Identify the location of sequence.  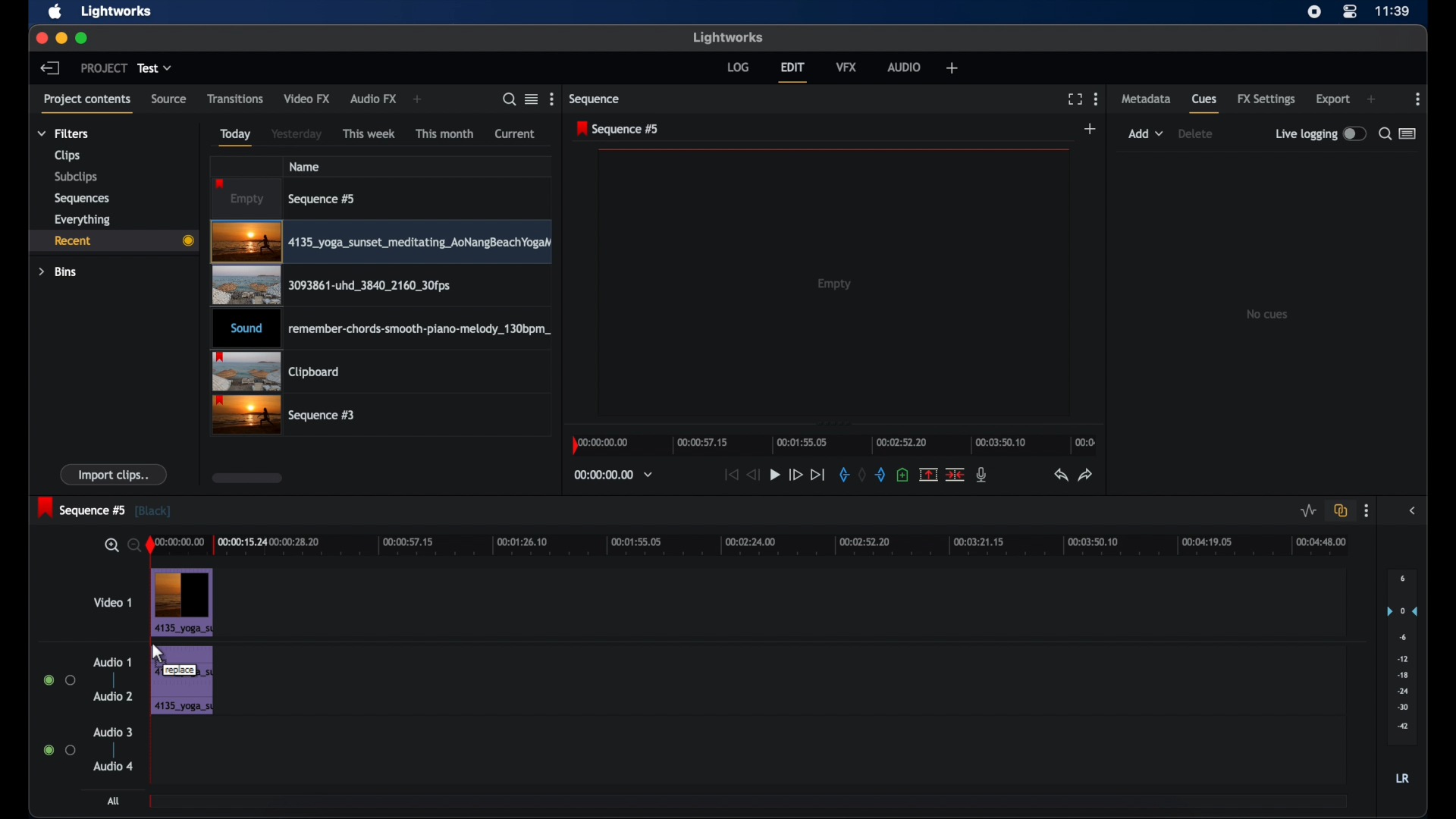
(595, 101).